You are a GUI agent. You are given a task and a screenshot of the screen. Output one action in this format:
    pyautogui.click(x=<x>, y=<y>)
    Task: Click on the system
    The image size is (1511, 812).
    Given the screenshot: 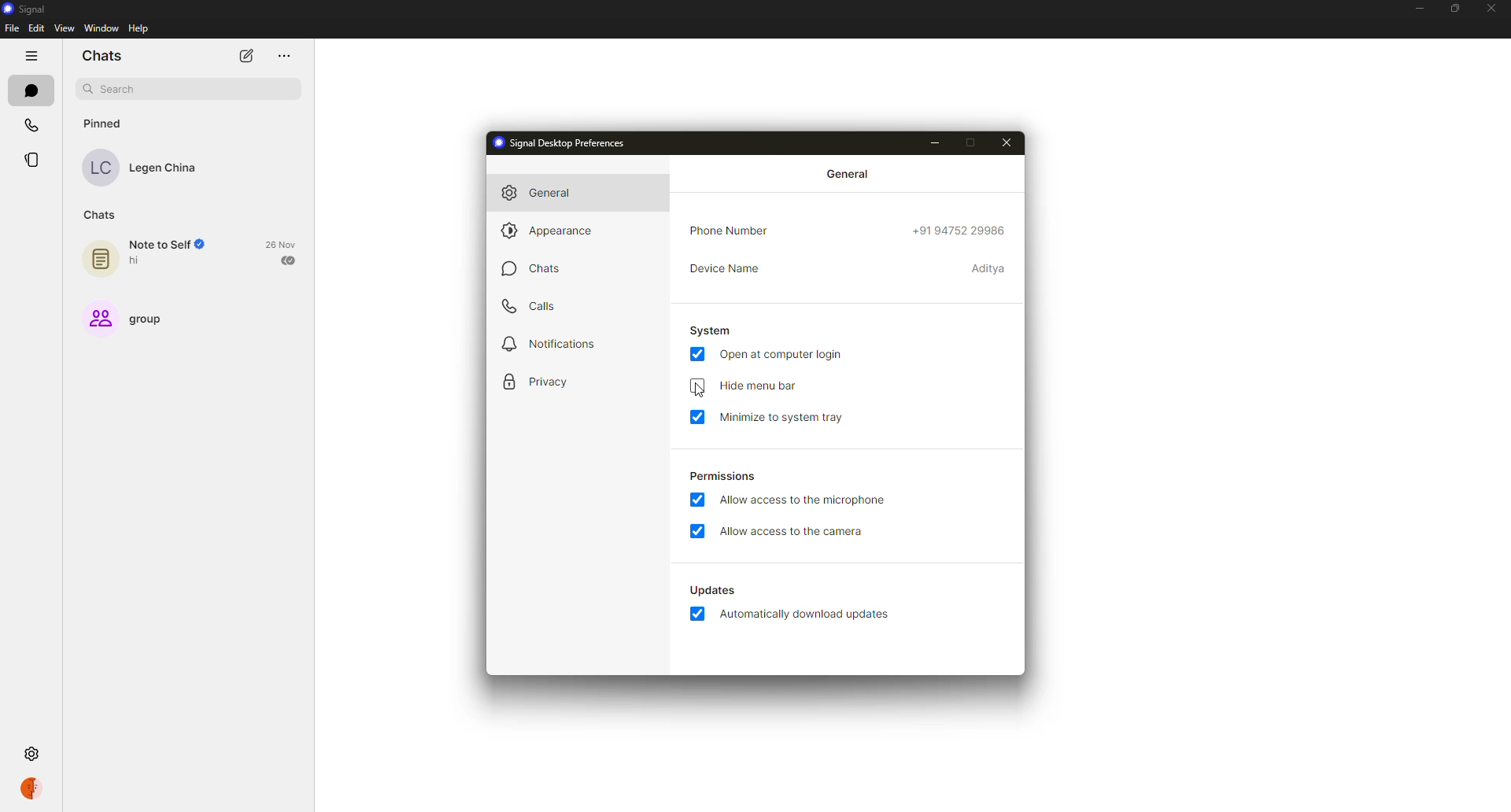 What is the action you would take?
    pyautogui.click(x=711, y=330)
    